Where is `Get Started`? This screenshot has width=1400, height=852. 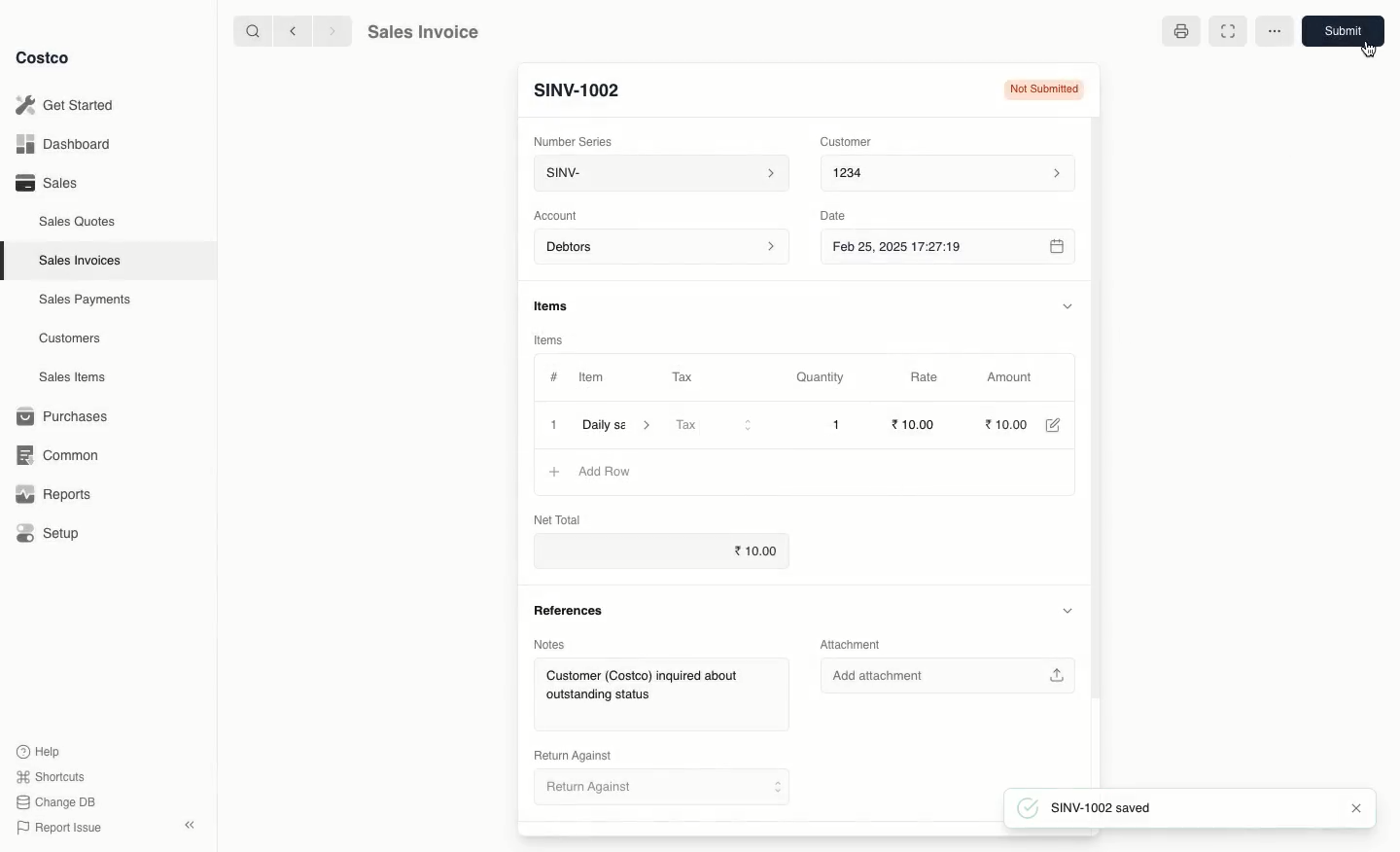 Get Started is located at coordinates (72, 104).